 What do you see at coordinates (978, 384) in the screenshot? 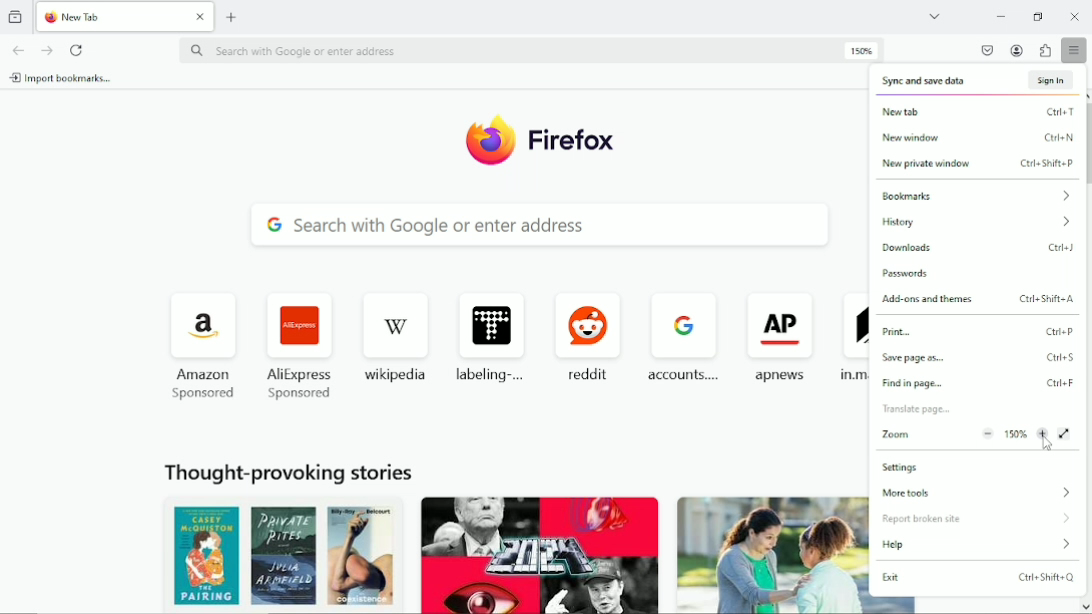
I see `find in page` at bounding box center [978, 384].